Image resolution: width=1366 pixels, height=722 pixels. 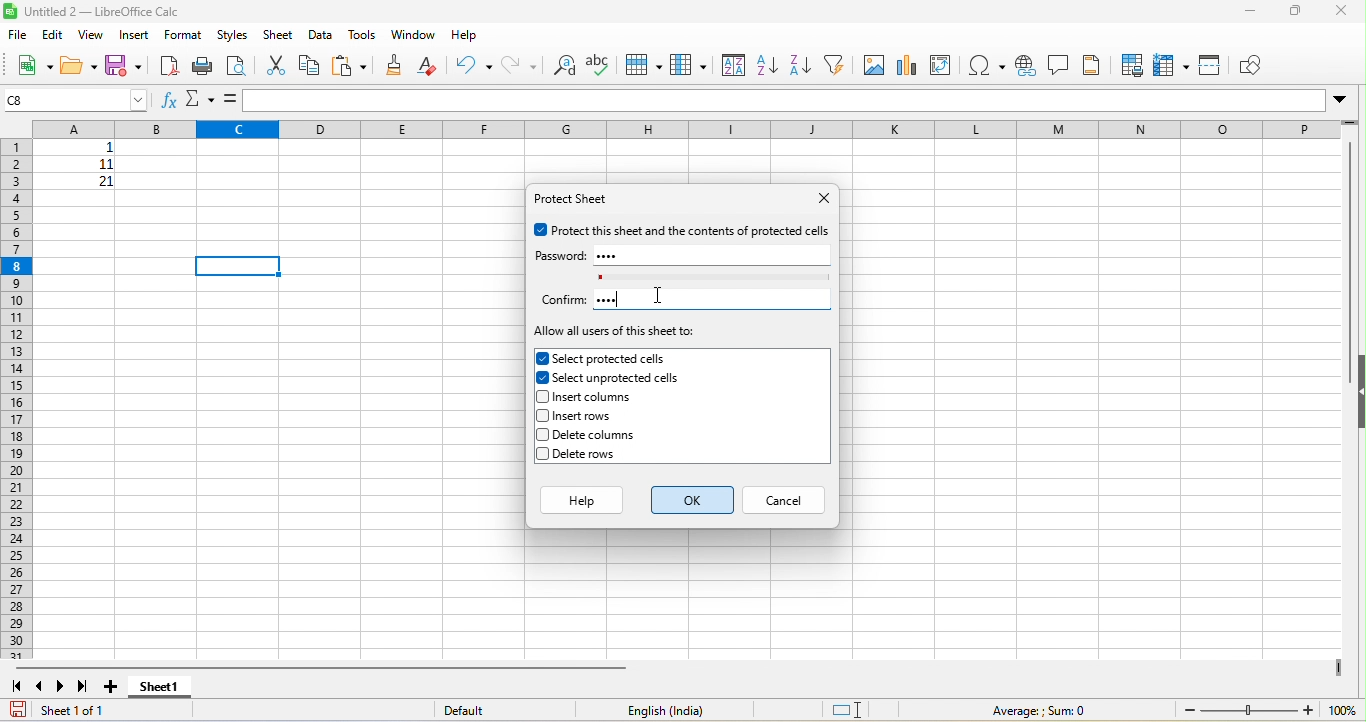 I want to click on sort ascending, so click(x=766, y=65).